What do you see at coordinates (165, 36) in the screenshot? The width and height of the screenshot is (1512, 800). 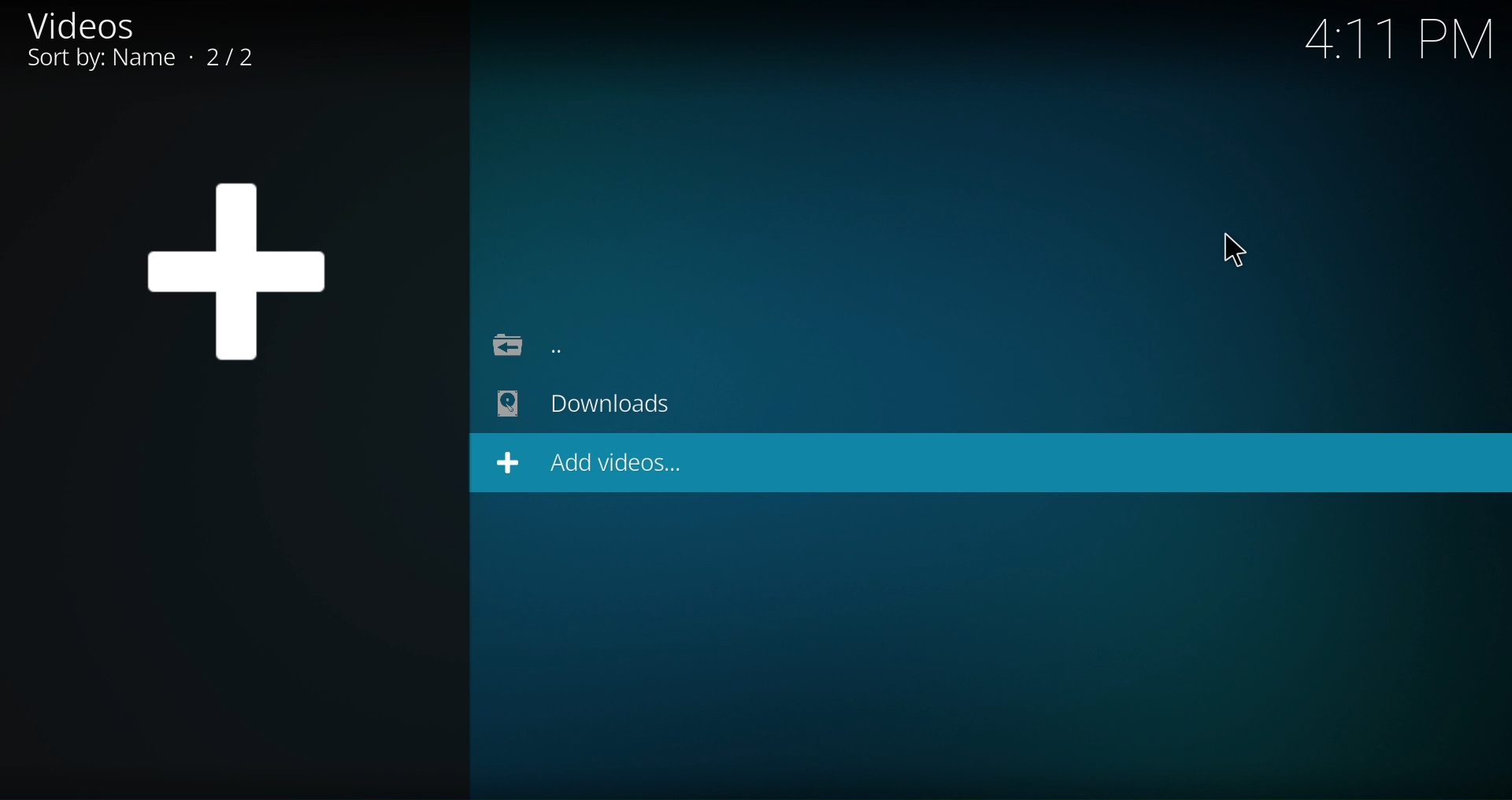 I see `Videos, Sort by: Name • 2/2` at bounding box center [165, 36].